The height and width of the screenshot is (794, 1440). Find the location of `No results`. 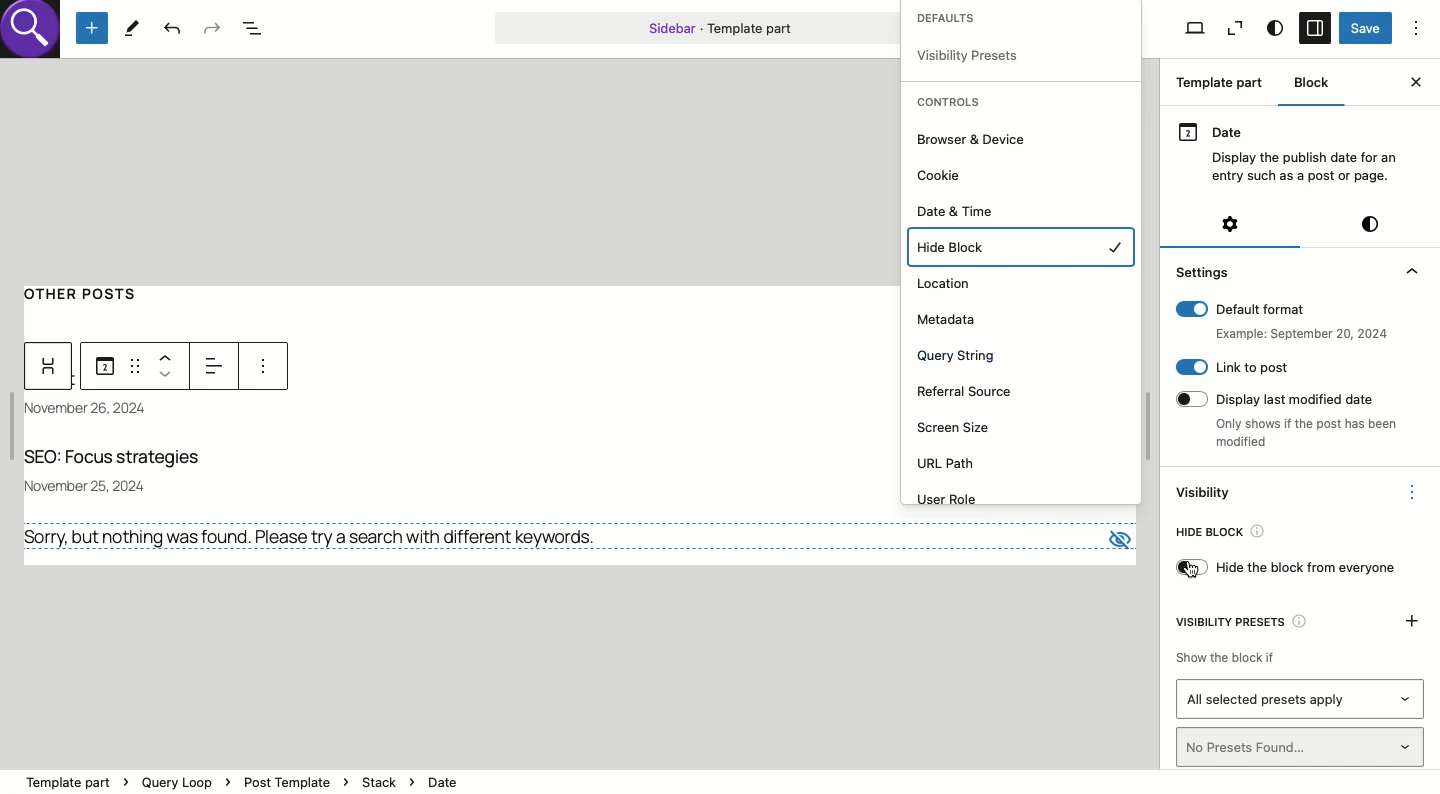

No results is located at coordinates (318, 537).